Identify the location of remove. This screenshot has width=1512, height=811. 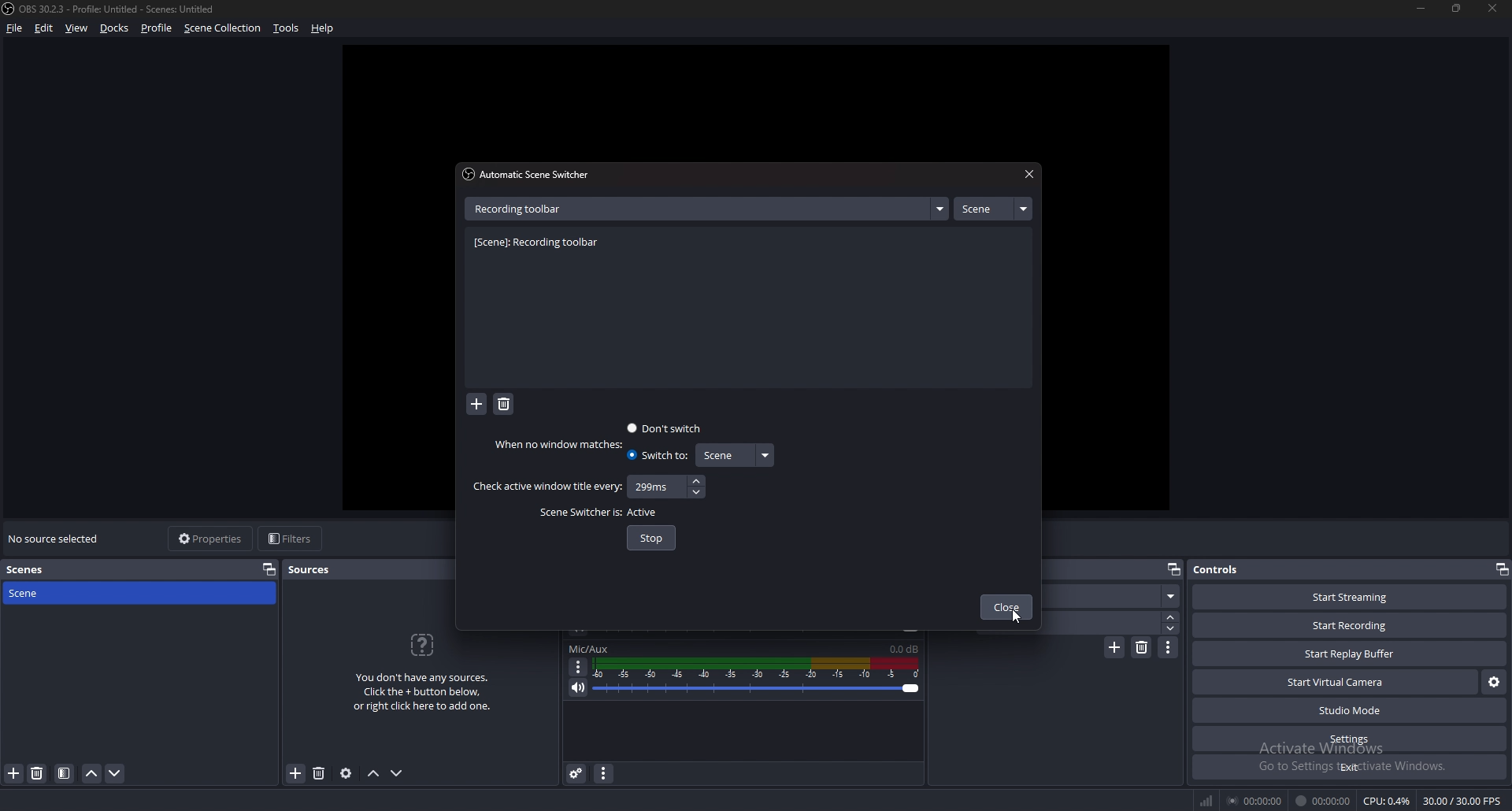
(504, 405).